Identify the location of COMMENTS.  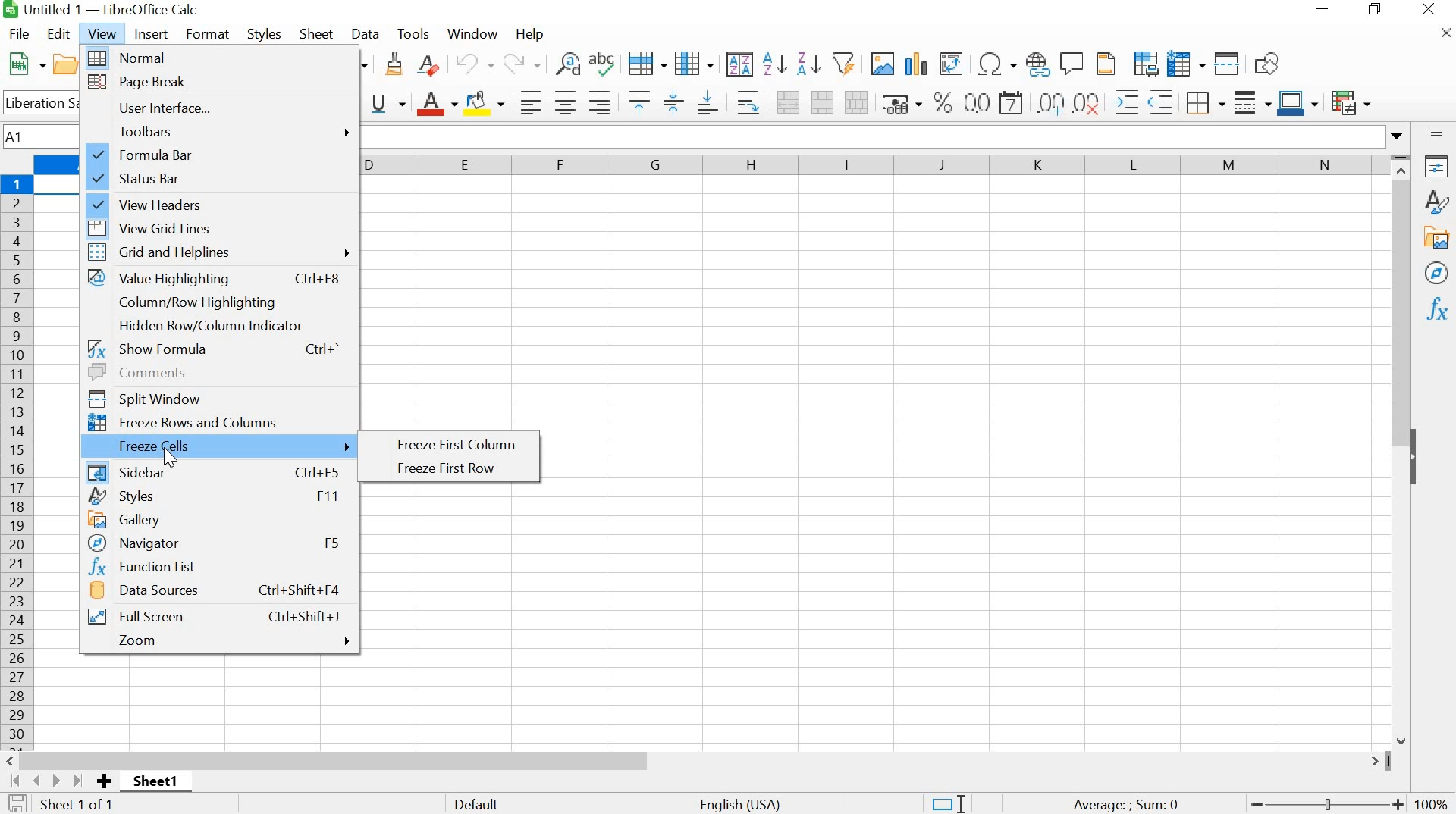
(216, 371).